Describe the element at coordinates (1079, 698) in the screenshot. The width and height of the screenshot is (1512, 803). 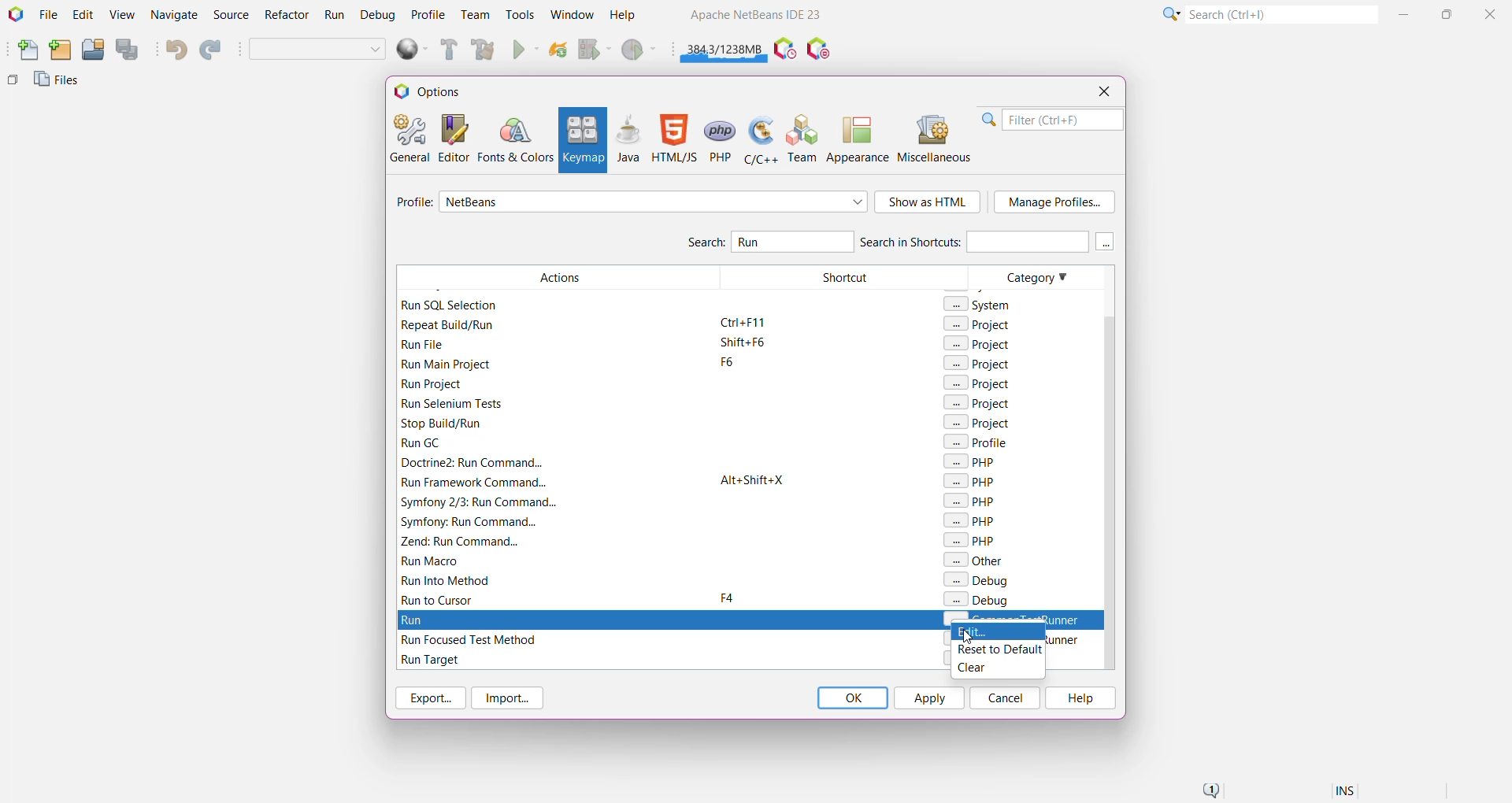
I see `Help` at that location.